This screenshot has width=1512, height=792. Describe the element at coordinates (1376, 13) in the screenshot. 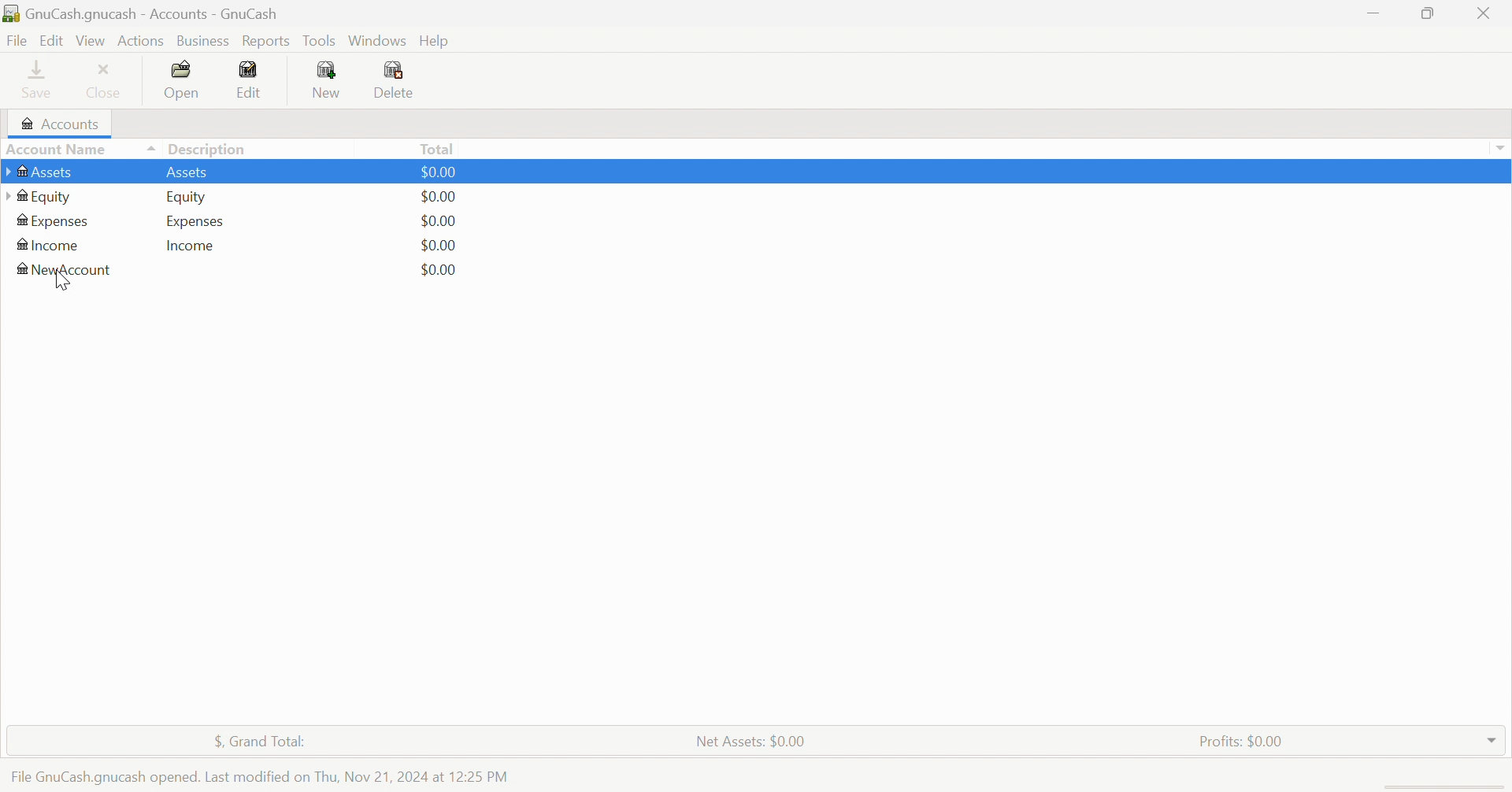

I see `Minimize` at that location.